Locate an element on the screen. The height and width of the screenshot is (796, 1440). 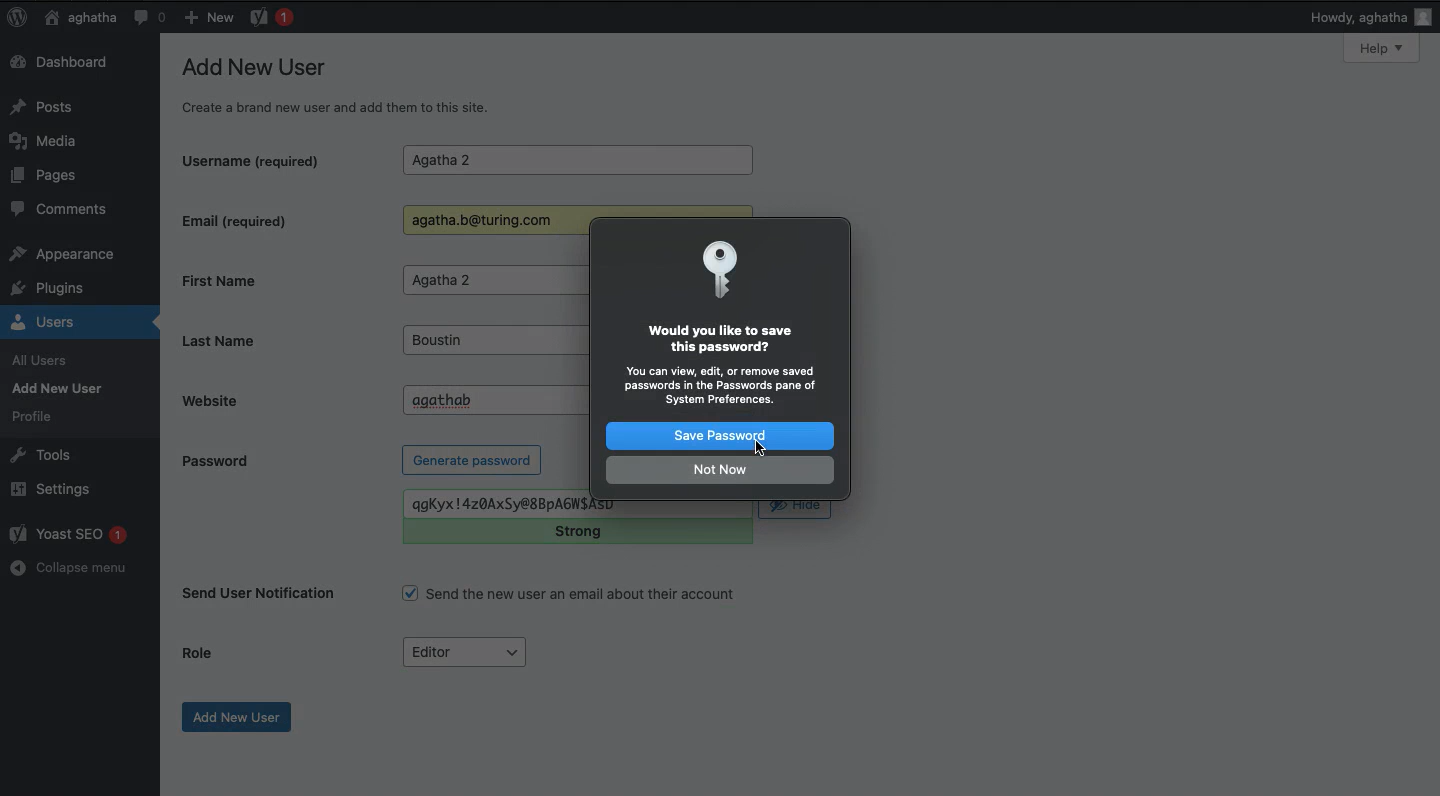
profile is located at coordinates (38, 416).